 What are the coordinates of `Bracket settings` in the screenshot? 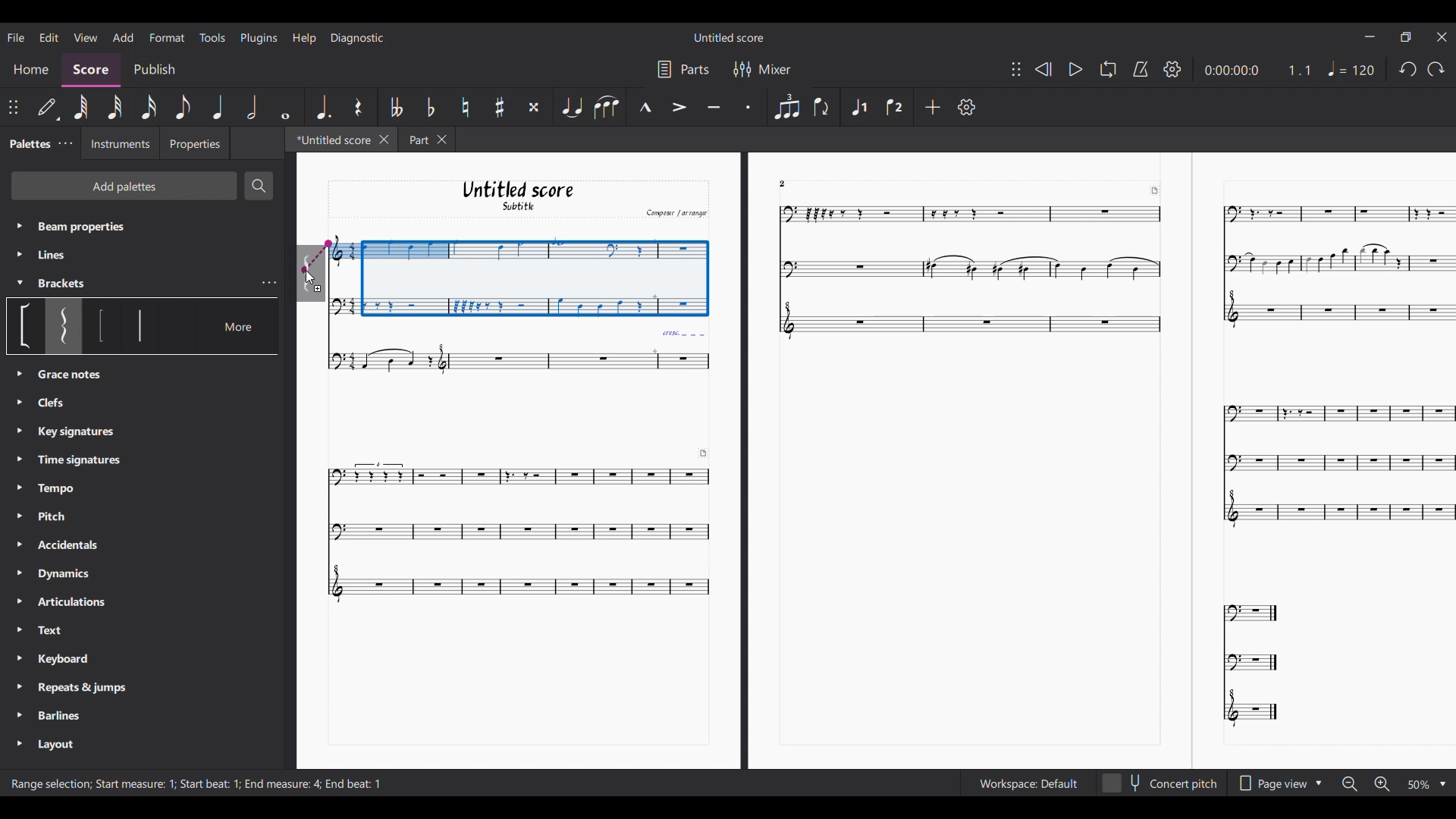 It's located at (270, 283).